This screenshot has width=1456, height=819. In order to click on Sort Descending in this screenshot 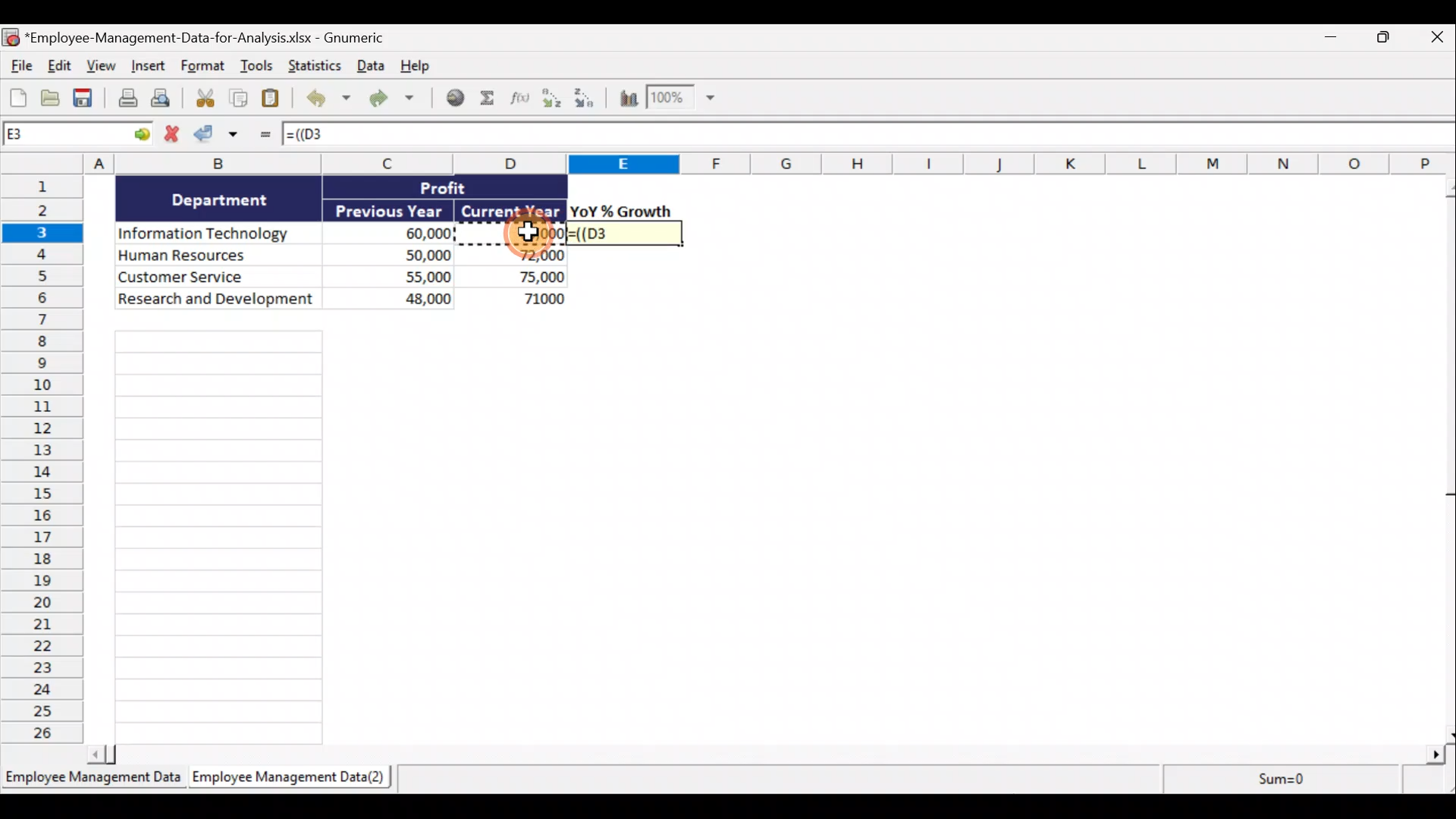, I will do `click(587, 100)`.